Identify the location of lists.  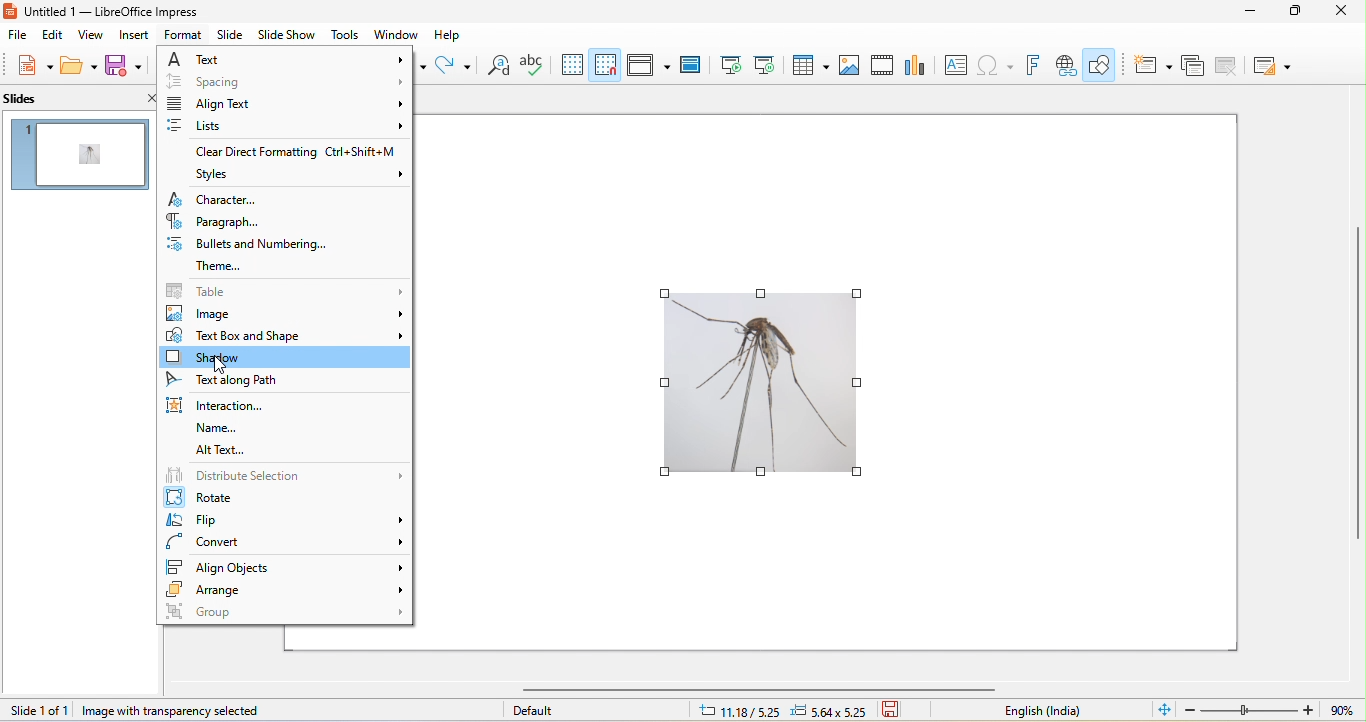
(284, 127).